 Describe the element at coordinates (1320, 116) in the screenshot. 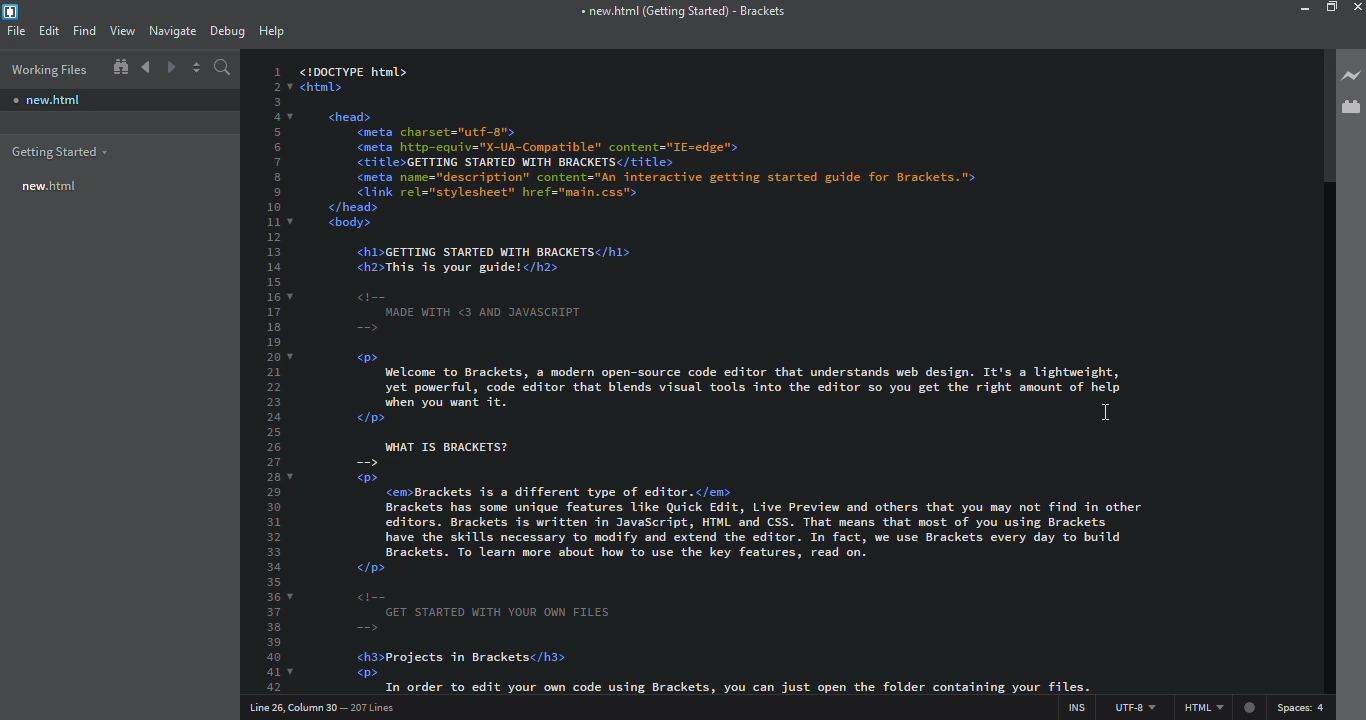

I see `scroll bar` at that location.